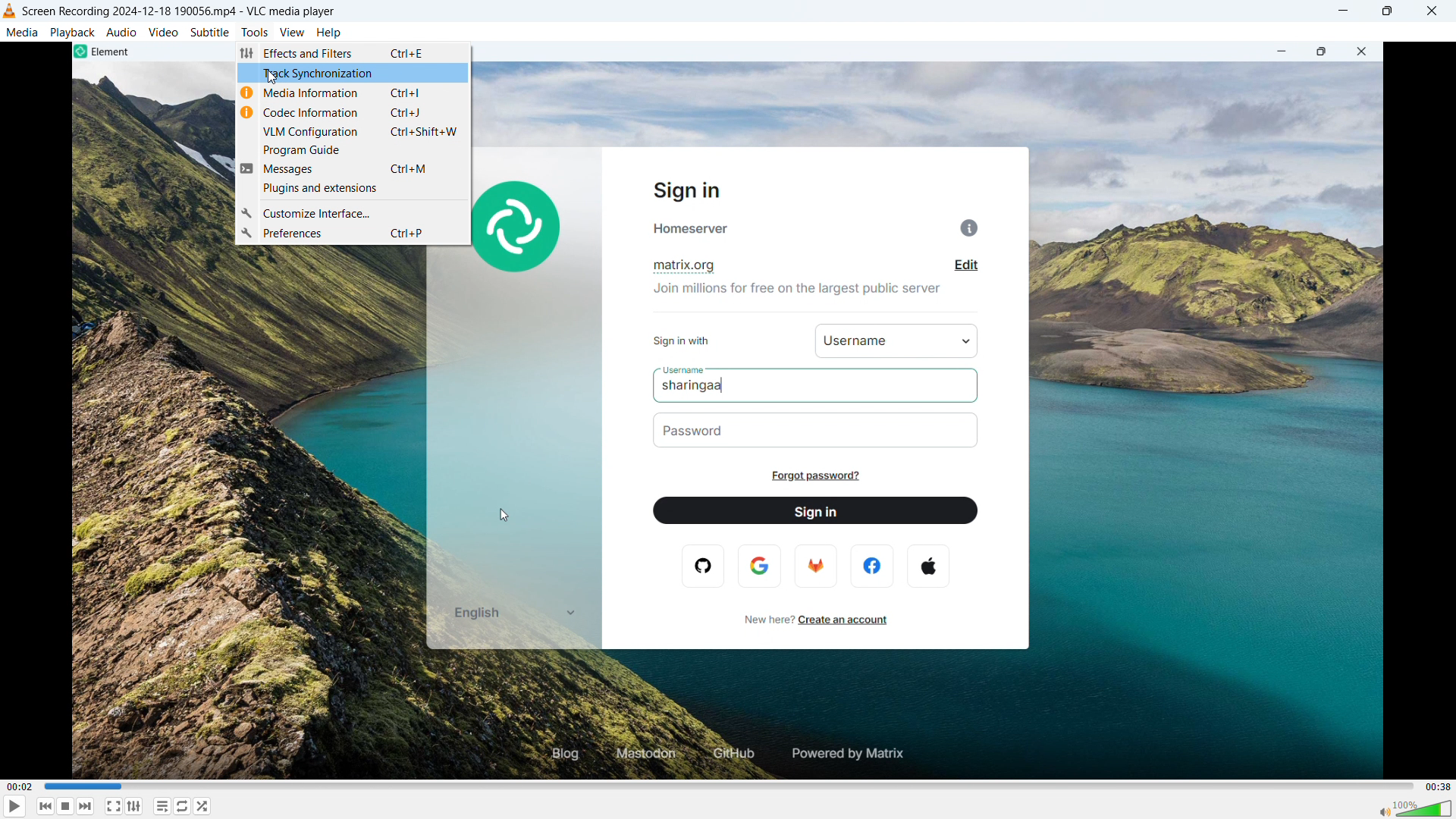  What do you see at coordinates (293, 33) in the screenshot?
I see `view` at bounding box center [293, 33].